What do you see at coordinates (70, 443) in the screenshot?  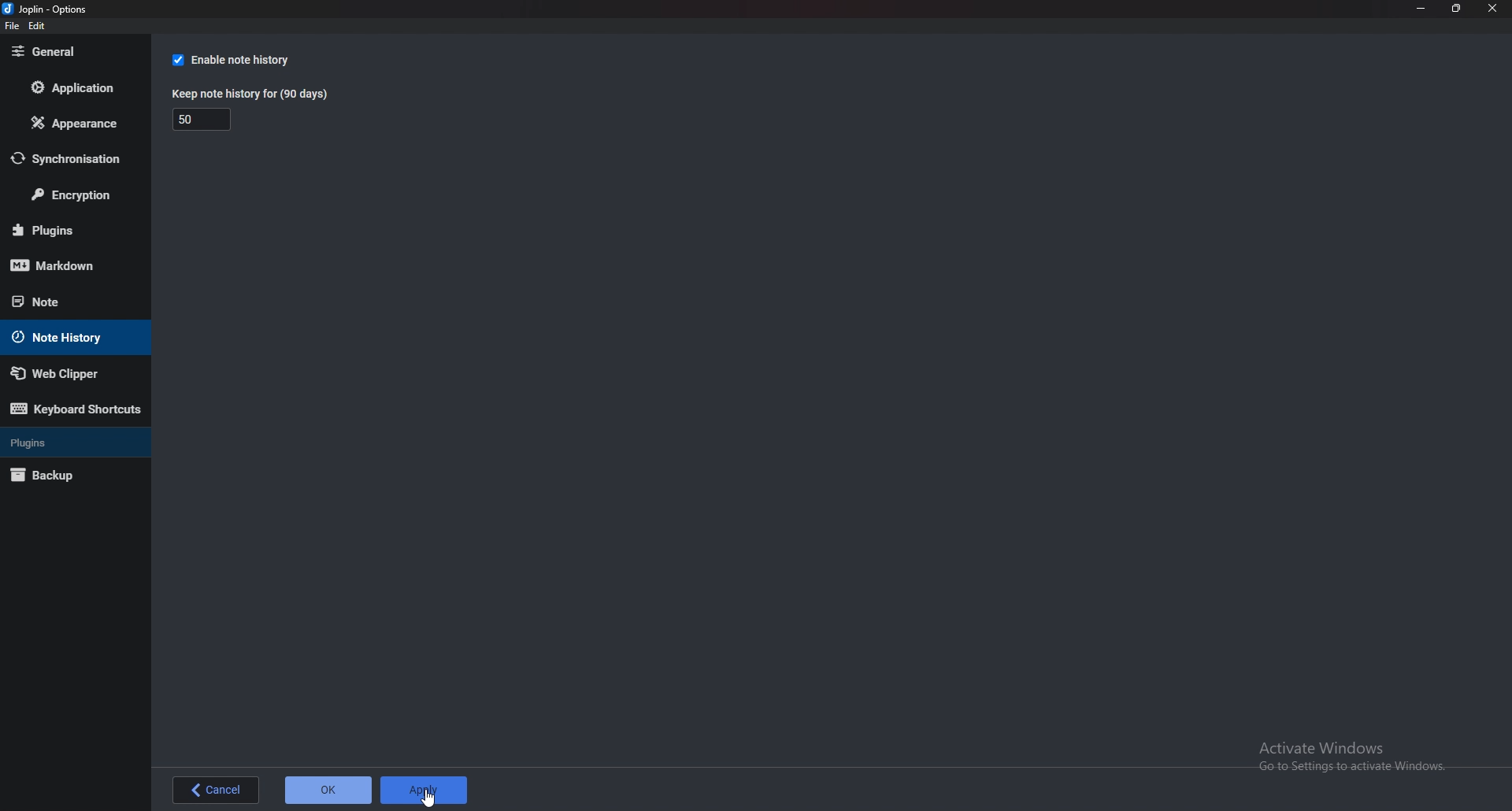 I see `Plugins` at bounding box center [70, 443].